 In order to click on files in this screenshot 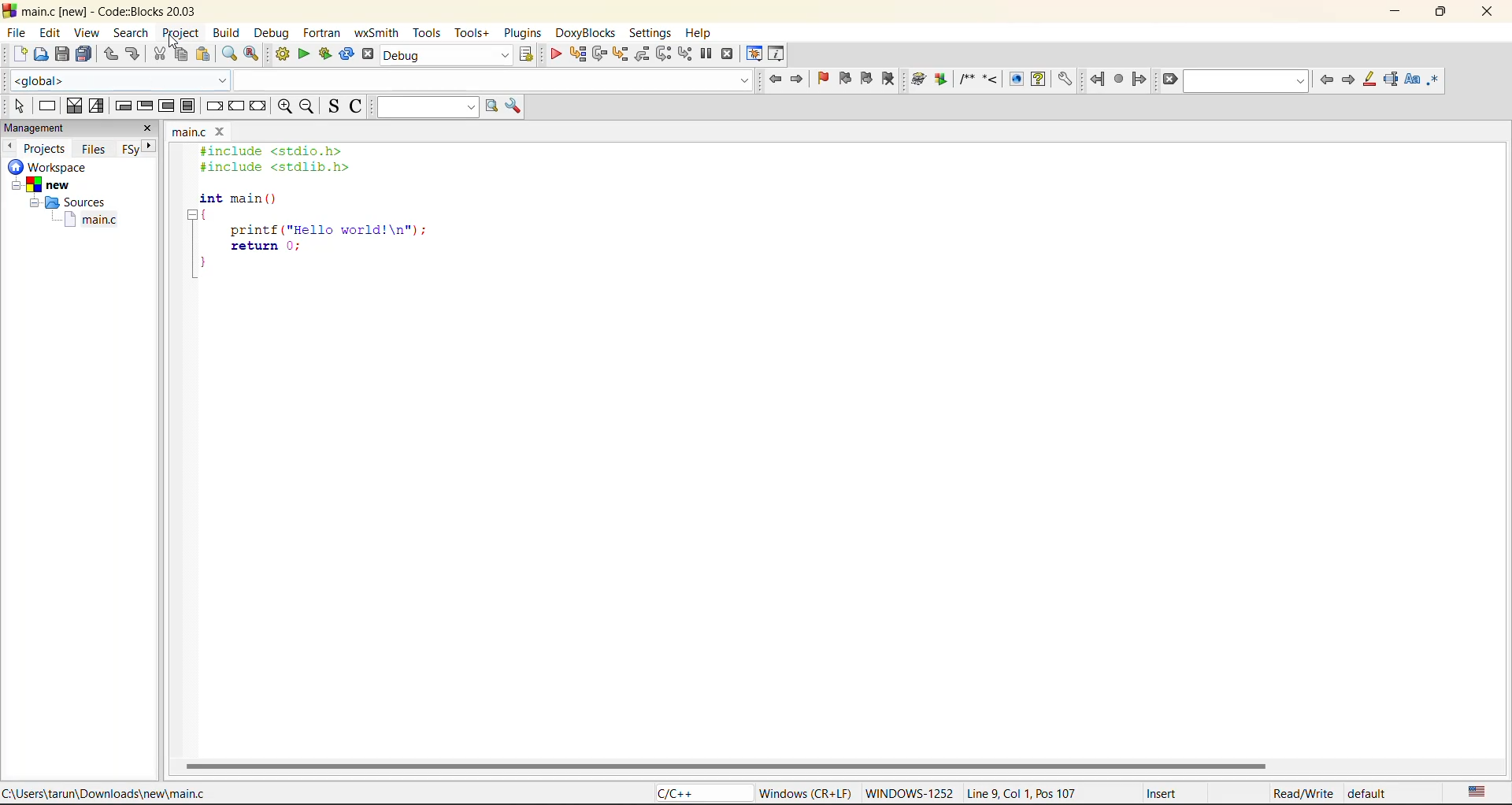, I will do `click(94, 148)`.